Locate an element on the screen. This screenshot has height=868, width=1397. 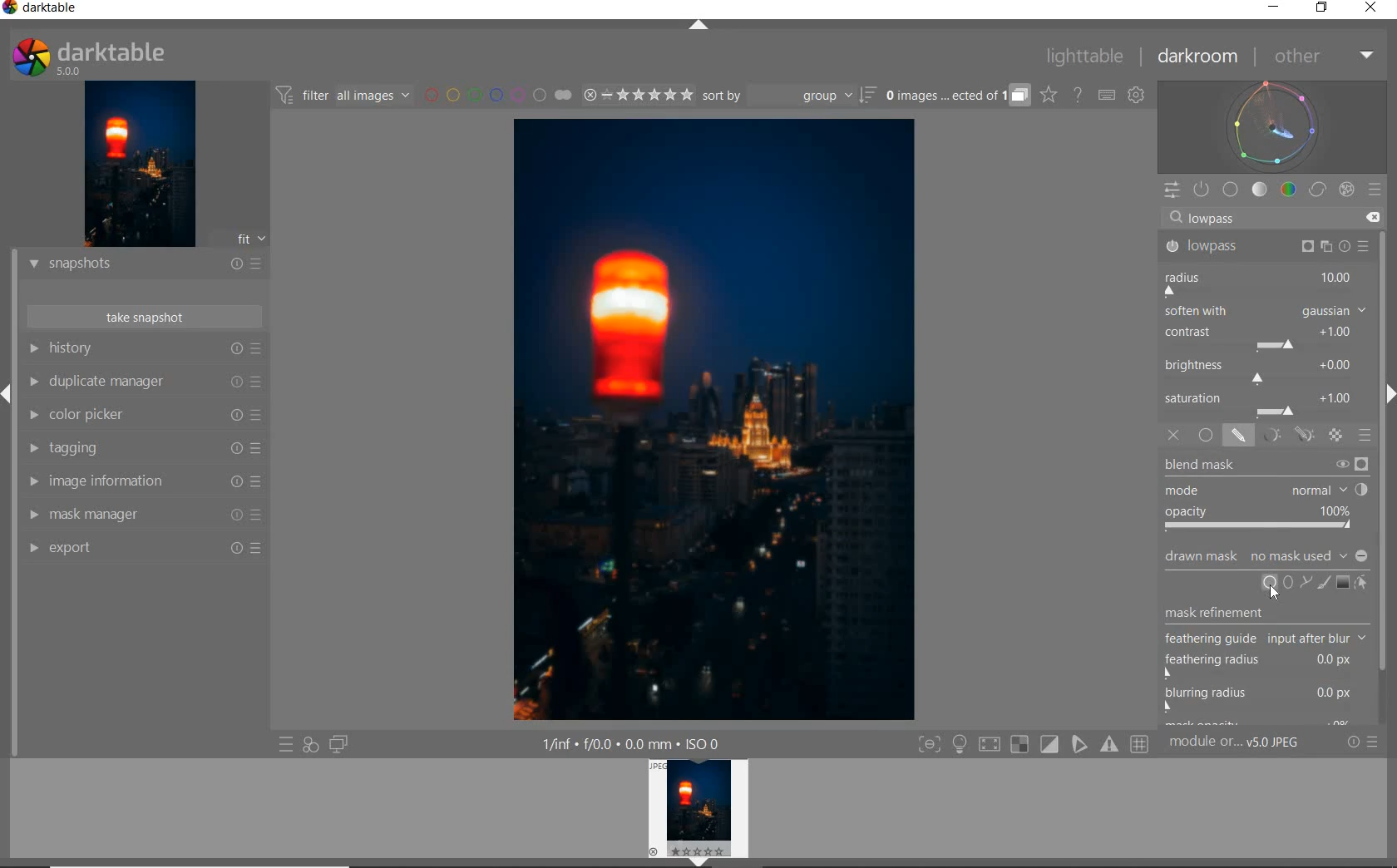
IMAGE PREVIEW is located at coordinates (701, 813).